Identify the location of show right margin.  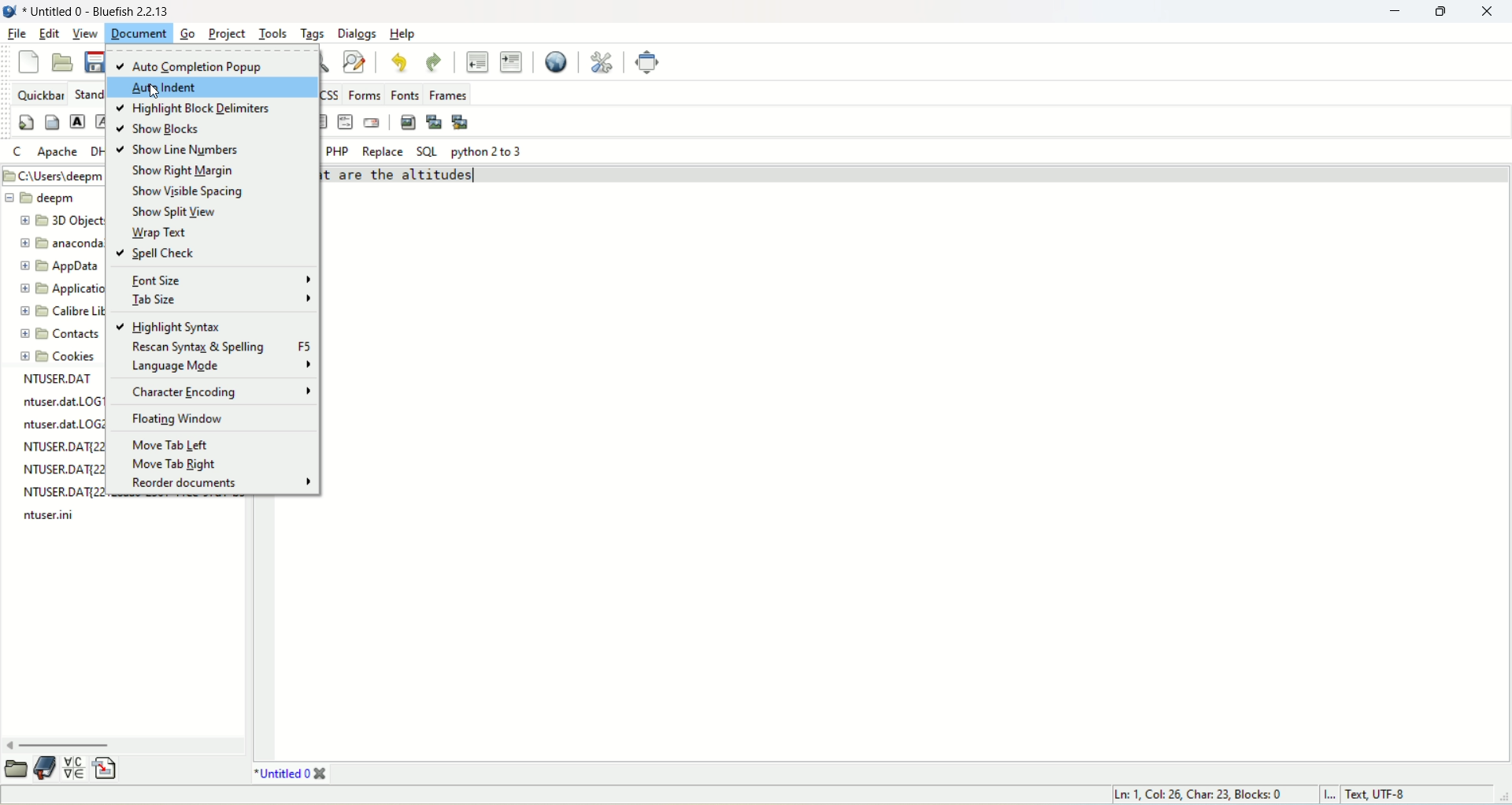
(179, 171).